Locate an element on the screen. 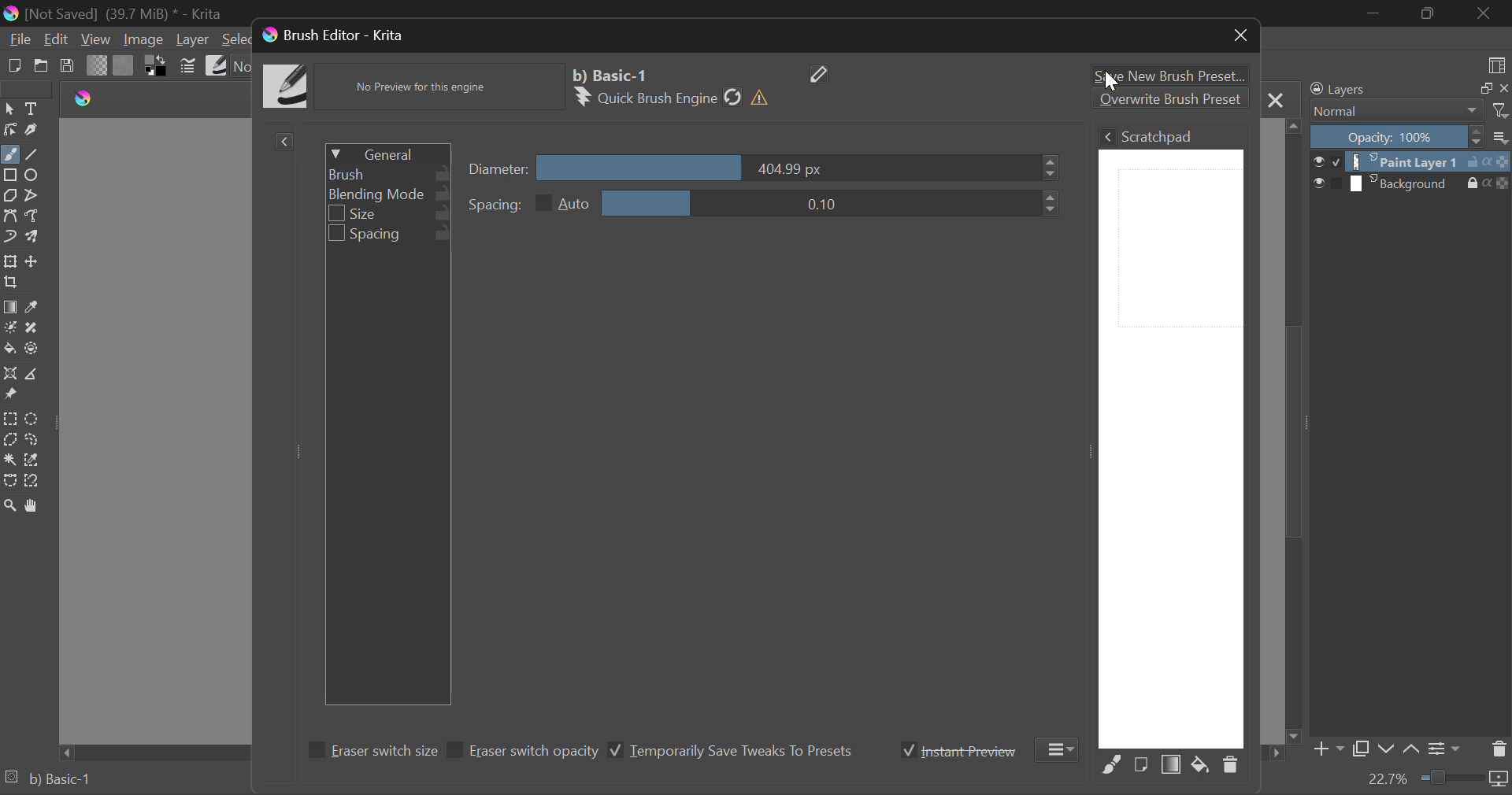 The image size is (1512, 795). Eyedropper is located at coordinates (35, 307).